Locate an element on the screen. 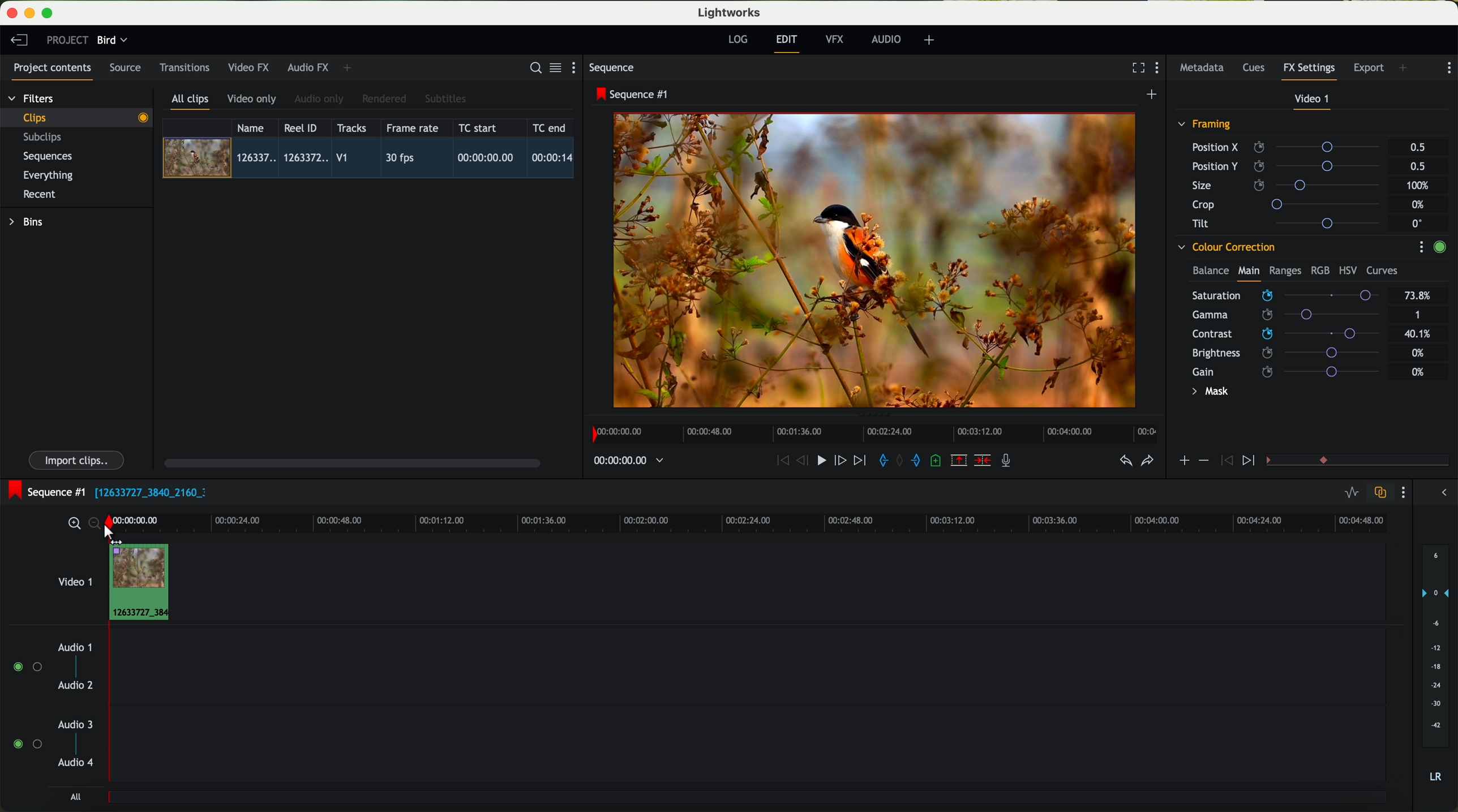  audio only is located at coordinates (320, 99).